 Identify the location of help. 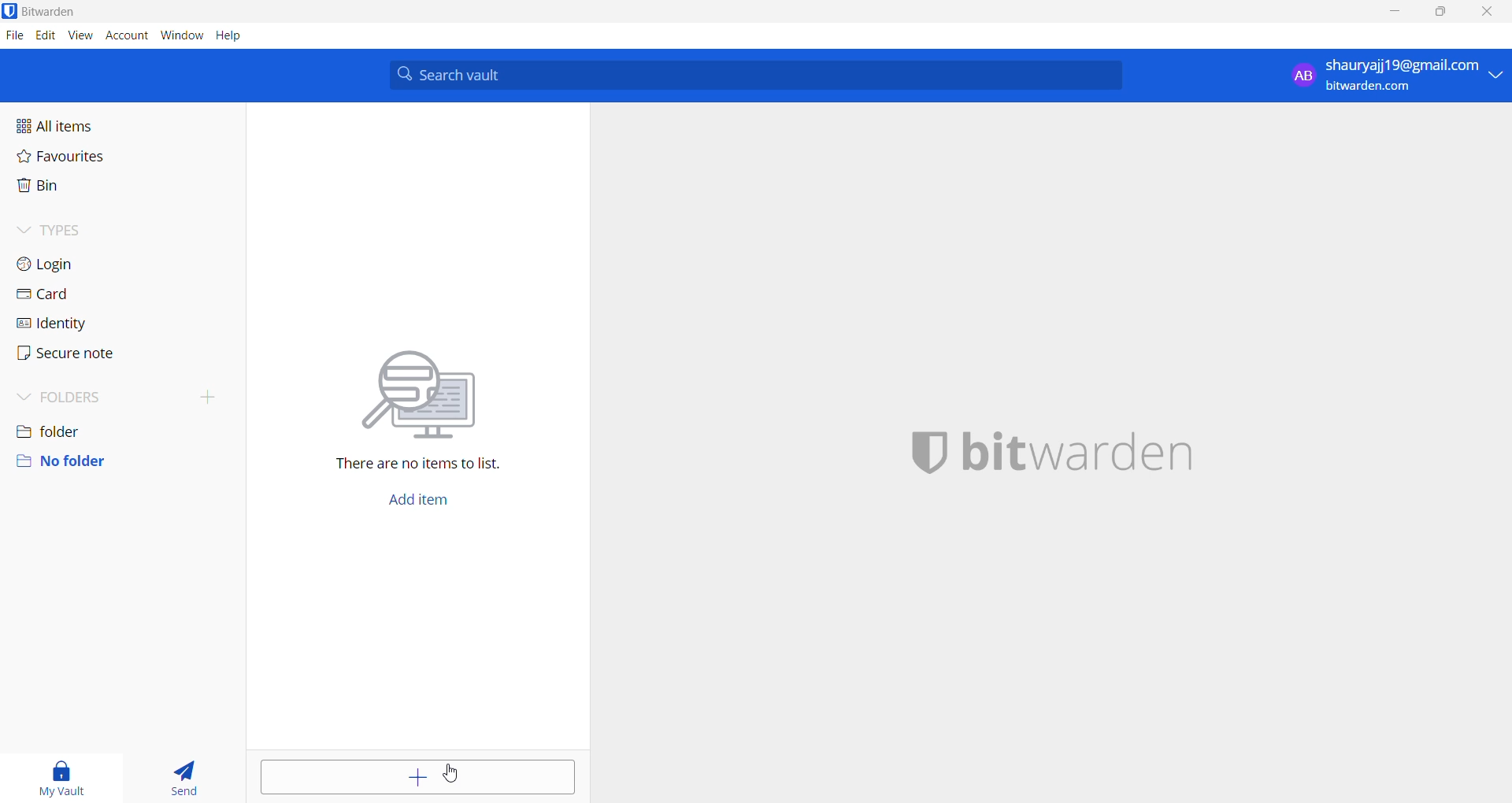
(231, 37).